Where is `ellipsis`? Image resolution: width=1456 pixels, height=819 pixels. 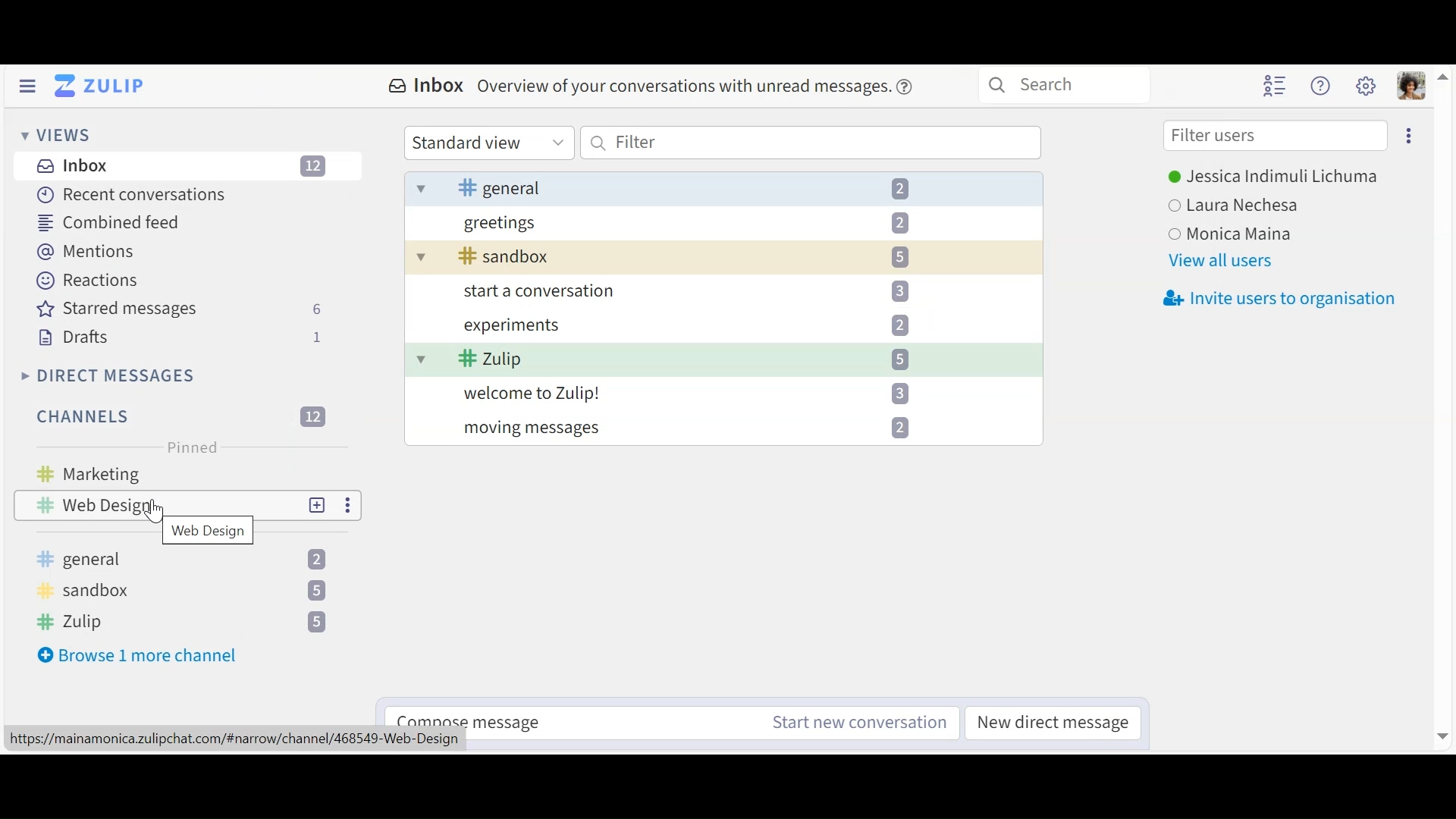 ellipsis is located at coordinates (344, 507).